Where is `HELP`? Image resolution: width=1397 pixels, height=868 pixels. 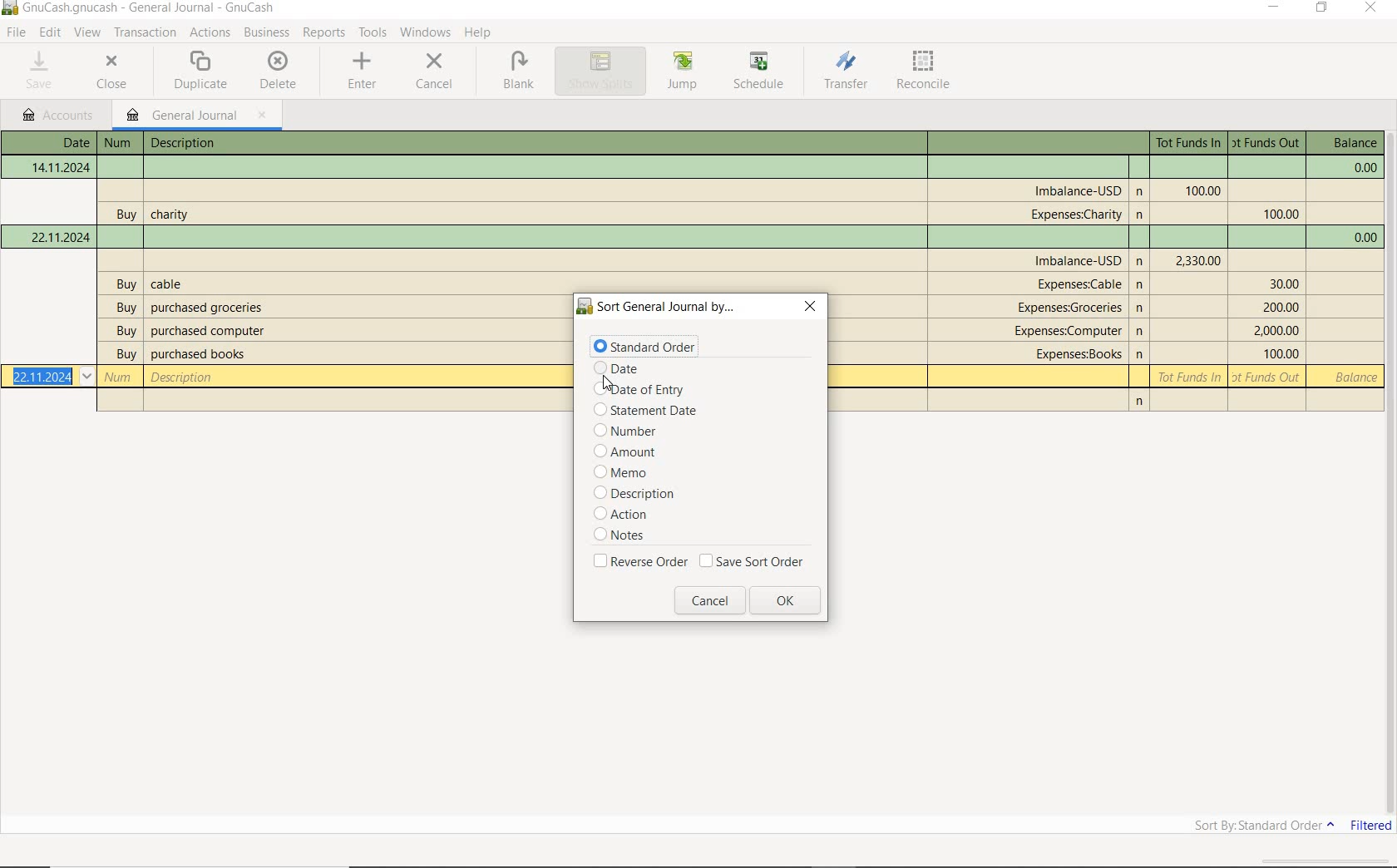 HELP is located at coordinates (481, 32).